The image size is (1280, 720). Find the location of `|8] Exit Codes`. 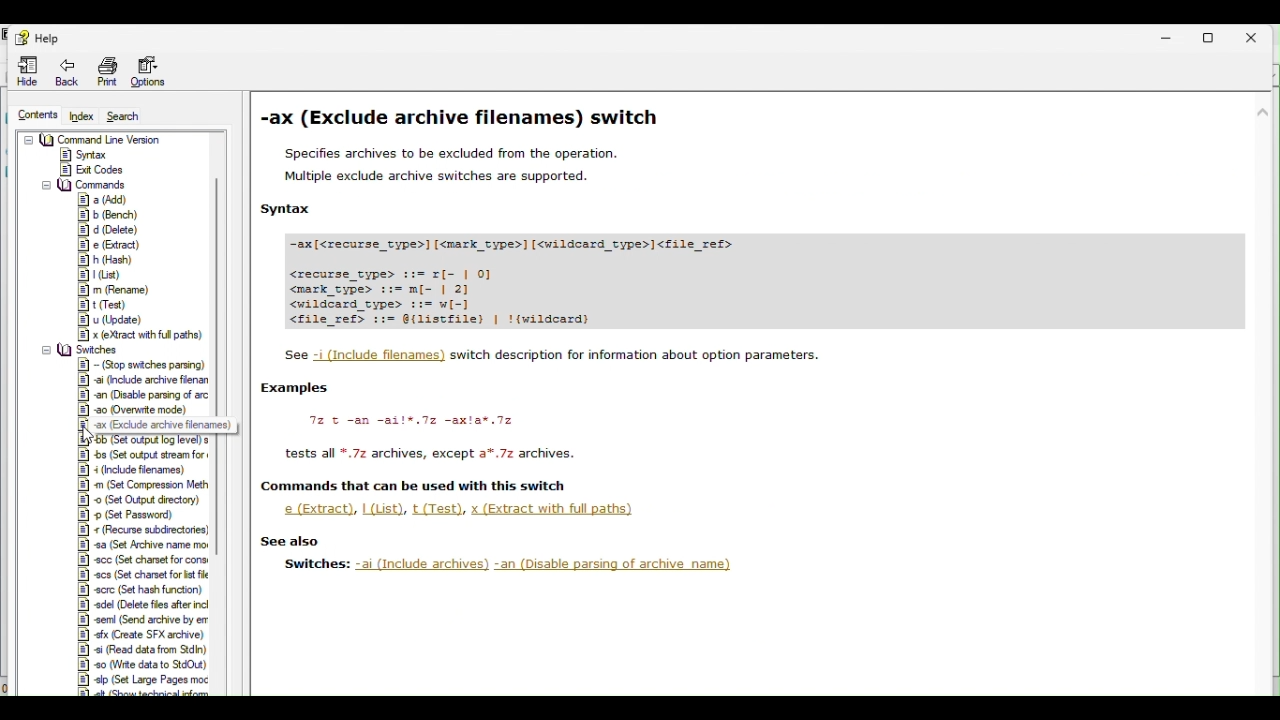

|8] Exit Codes is located at coordinates (93, 169).